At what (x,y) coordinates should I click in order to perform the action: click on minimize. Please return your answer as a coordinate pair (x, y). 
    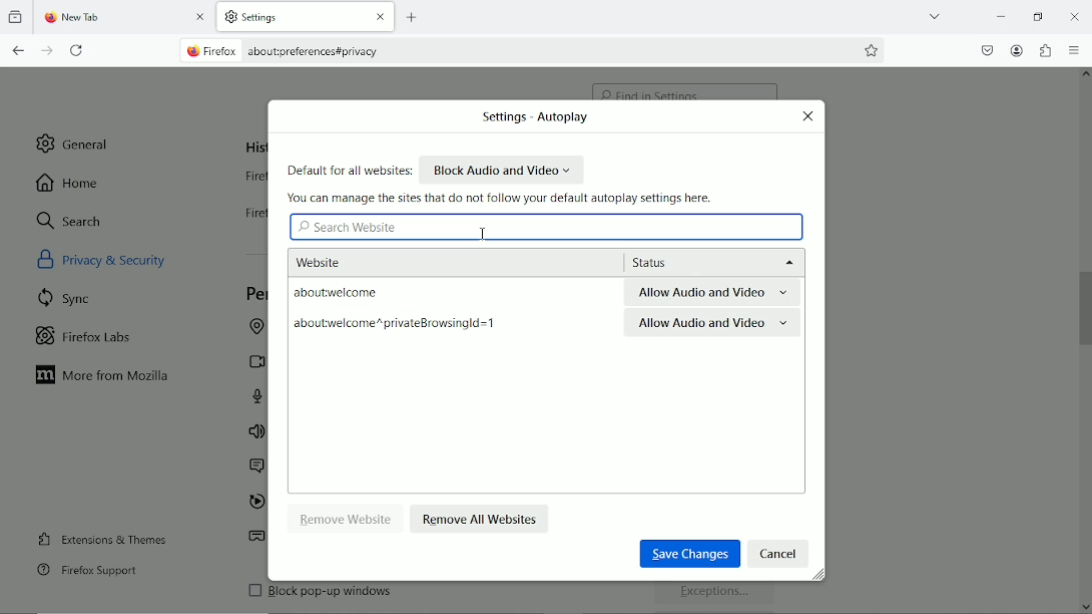
    Looking at the image, I should click on (1001, 15).